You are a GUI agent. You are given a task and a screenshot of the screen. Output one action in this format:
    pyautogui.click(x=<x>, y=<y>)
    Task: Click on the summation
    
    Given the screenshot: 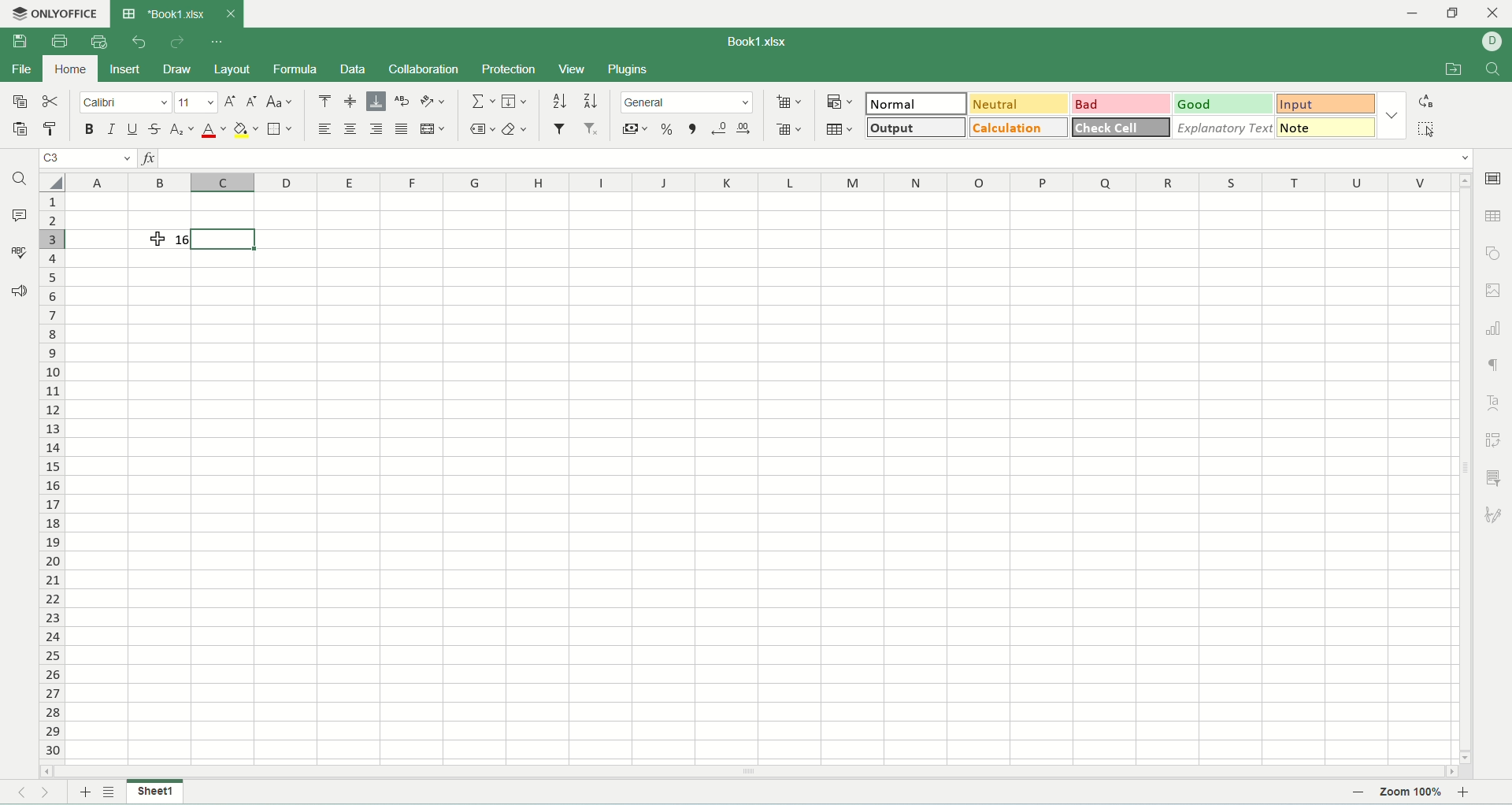 What is the action you would take?
    pyautogui.click(x=481, y=101)
    